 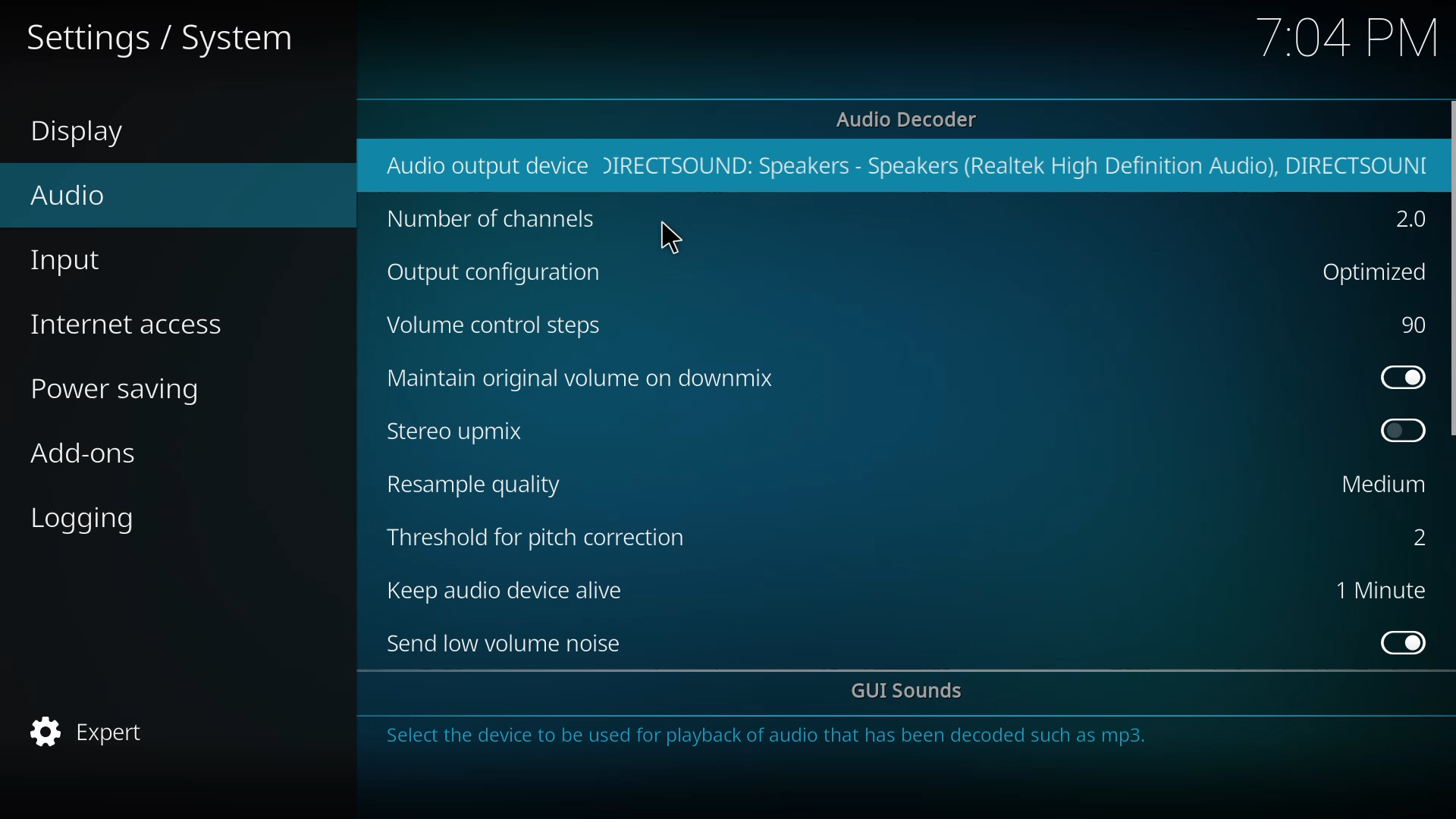 I want to click on internet access, so click(x=130, y=325).